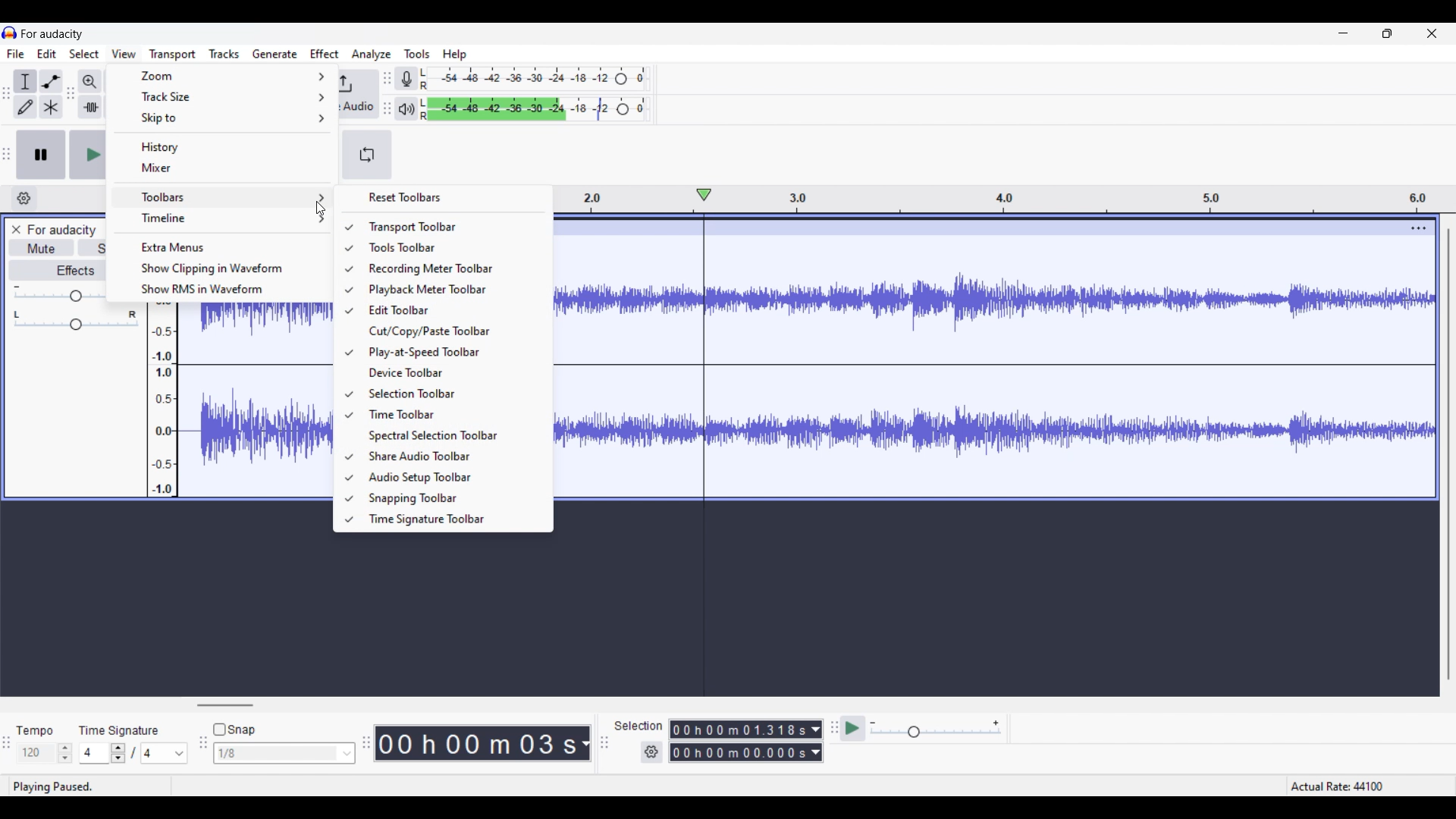 This screenshot has width=1456, height=819. I want to click on Cut/Copy/Paste toolbar, so click(448, 331).